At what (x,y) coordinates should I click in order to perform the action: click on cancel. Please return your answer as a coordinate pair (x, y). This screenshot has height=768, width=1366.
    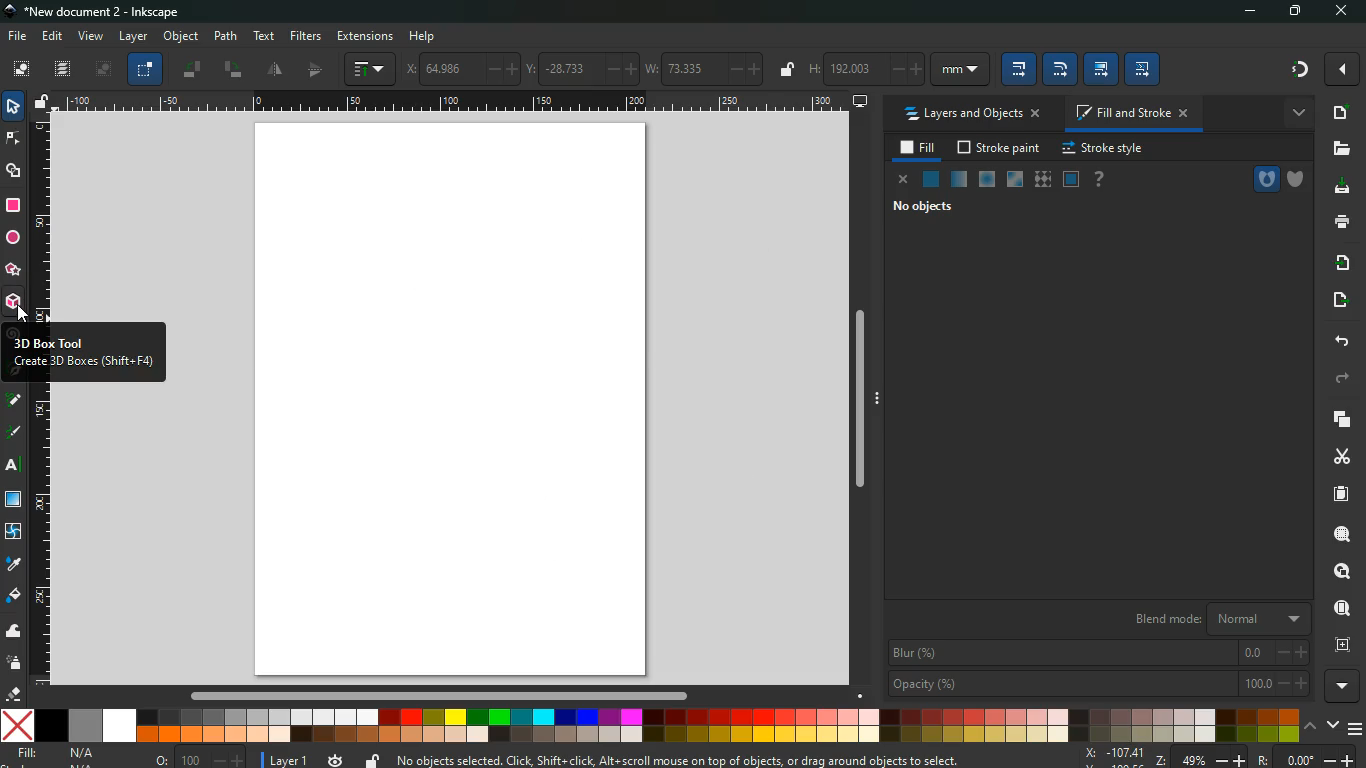
    Looking at the image, I should click on (900, 180).